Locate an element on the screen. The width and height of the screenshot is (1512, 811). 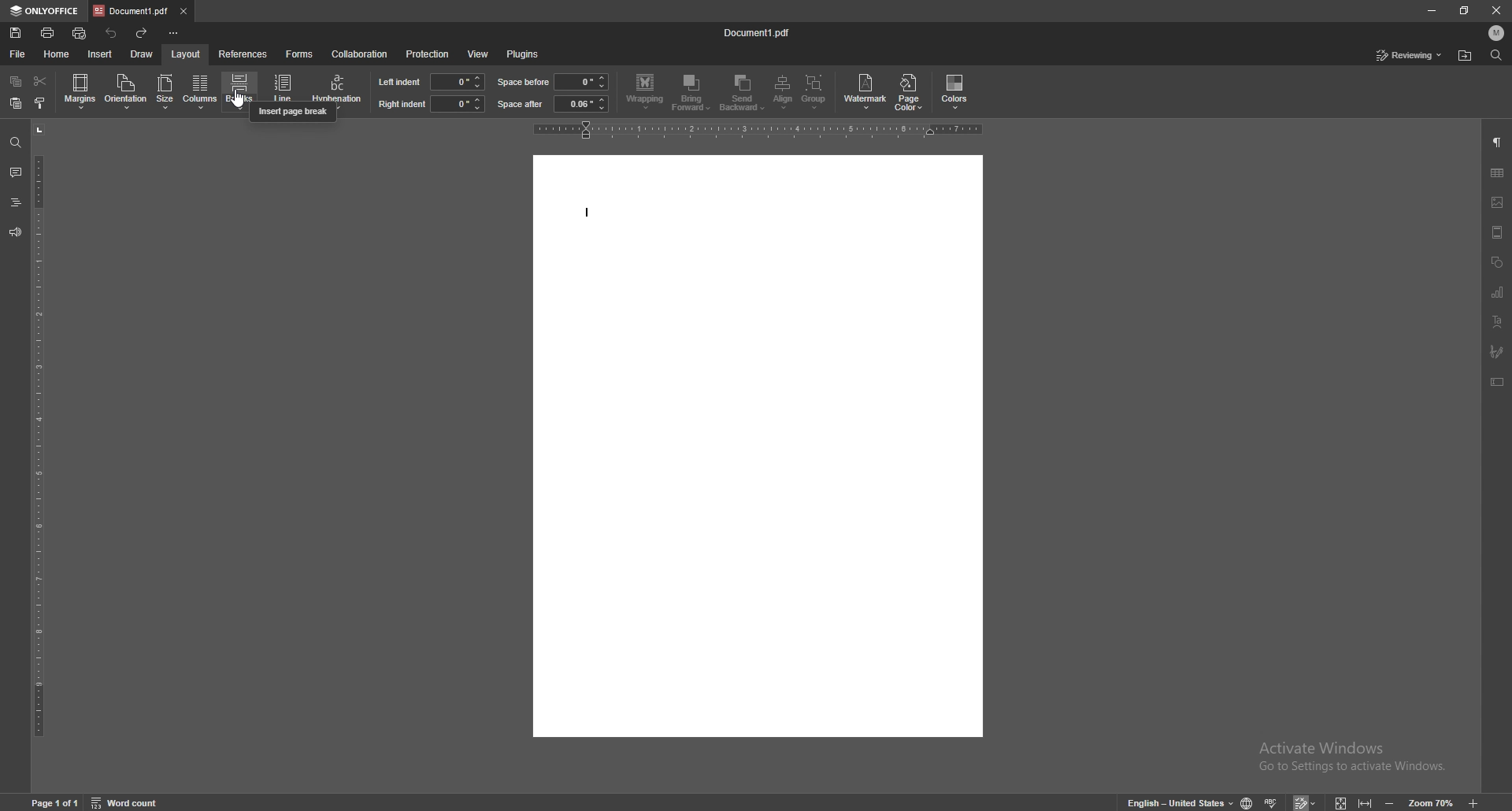
file is located at coordinates (18, 55).